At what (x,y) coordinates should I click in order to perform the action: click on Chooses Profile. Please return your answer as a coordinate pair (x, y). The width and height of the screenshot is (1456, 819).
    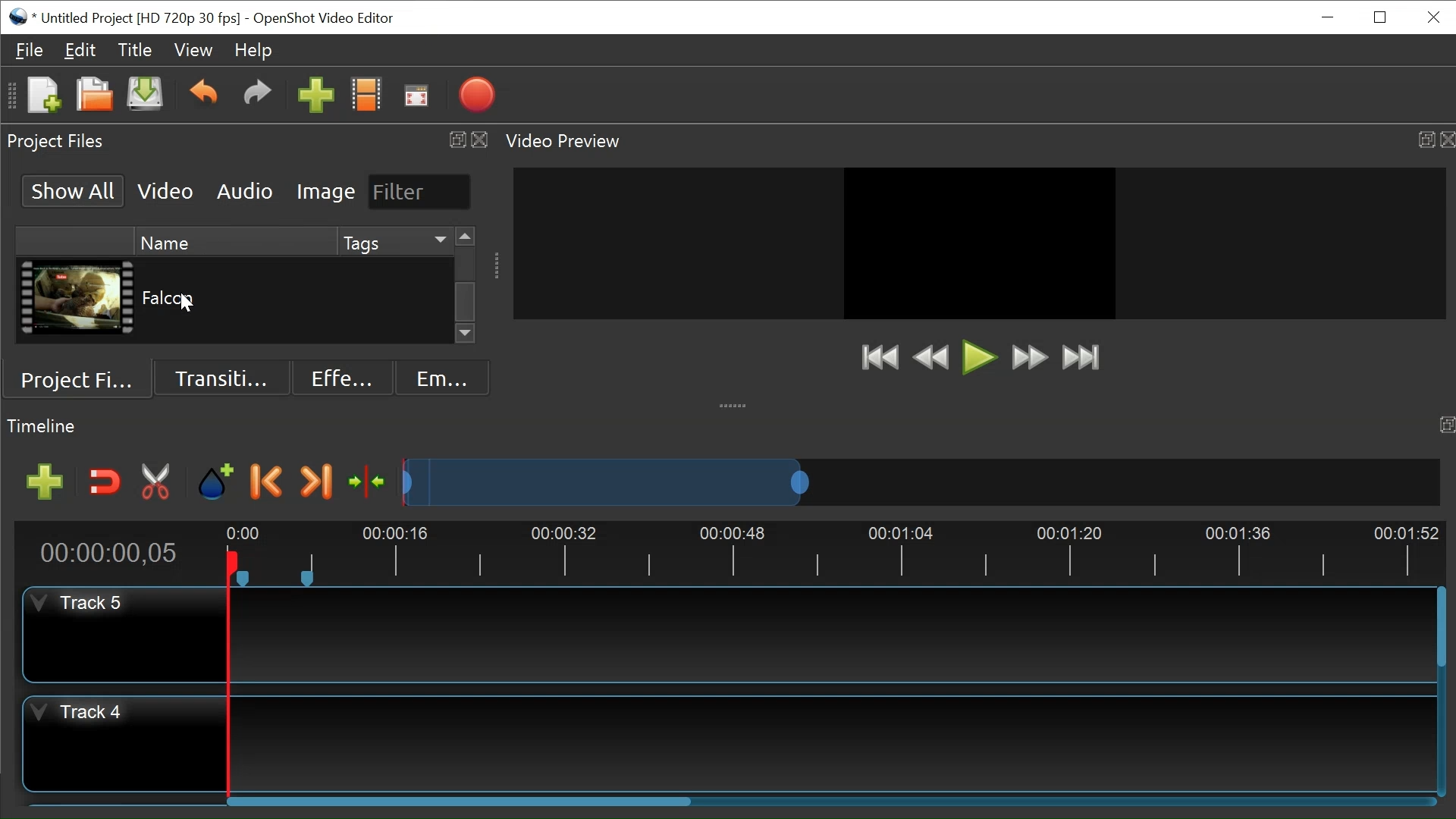
    Looking at the image, I should click on (369, 96).